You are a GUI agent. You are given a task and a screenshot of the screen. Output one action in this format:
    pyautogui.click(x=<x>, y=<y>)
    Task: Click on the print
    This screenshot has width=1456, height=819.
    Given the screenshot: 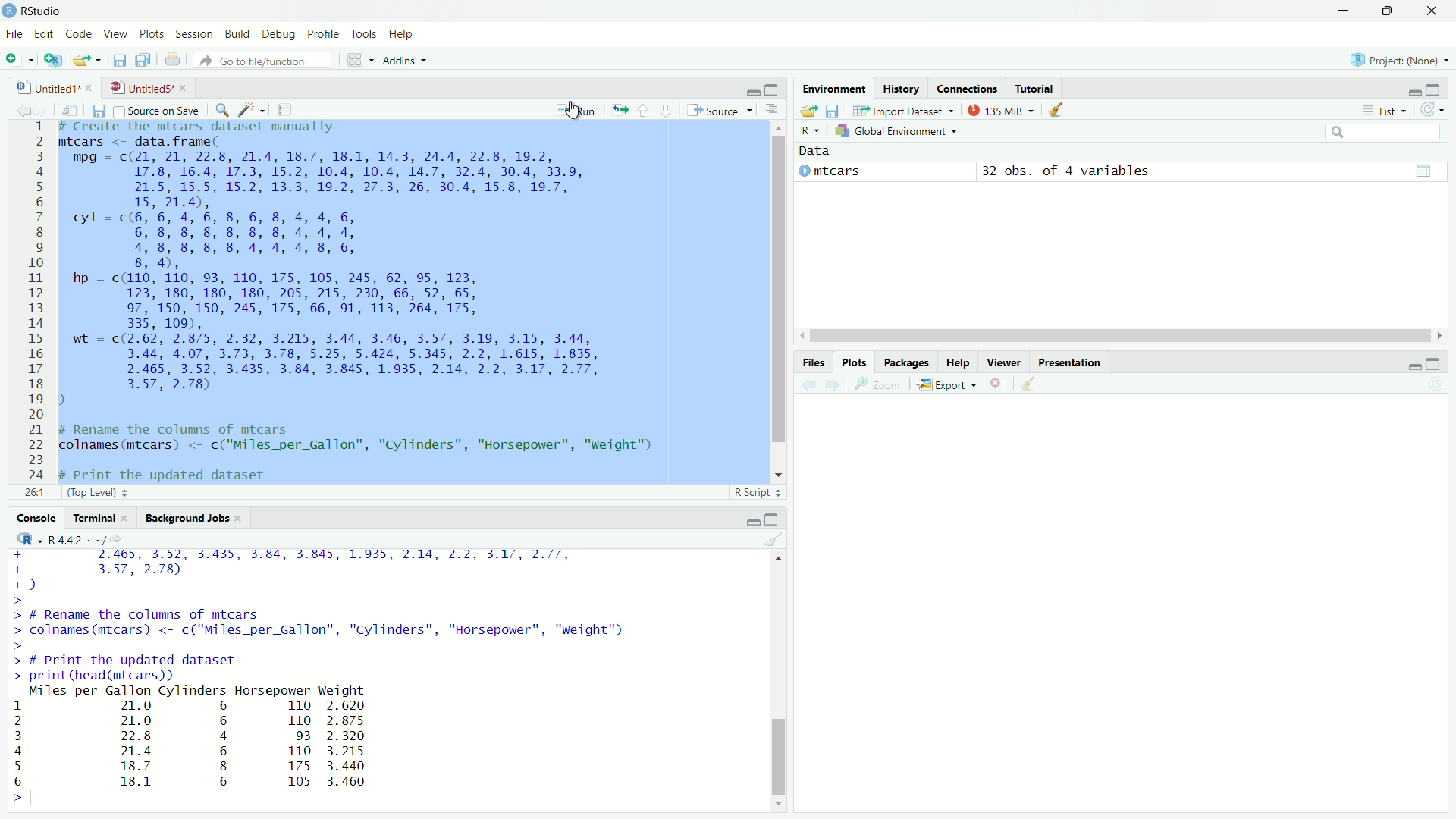 What is the action you would take?
    pyautogui.click(x=173, y=61)
    